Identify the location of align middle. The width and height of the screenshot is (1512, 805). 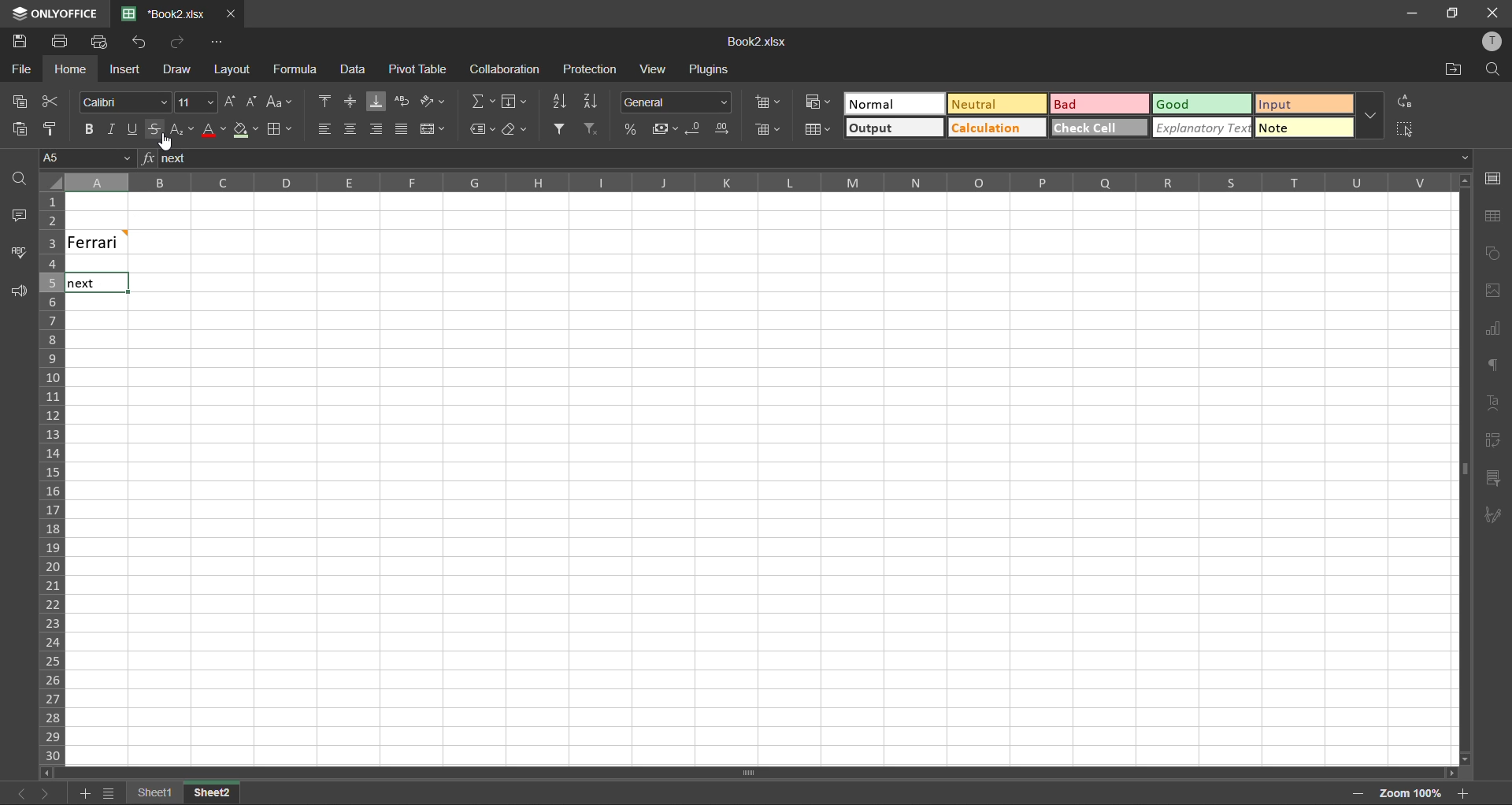
(351, 102).